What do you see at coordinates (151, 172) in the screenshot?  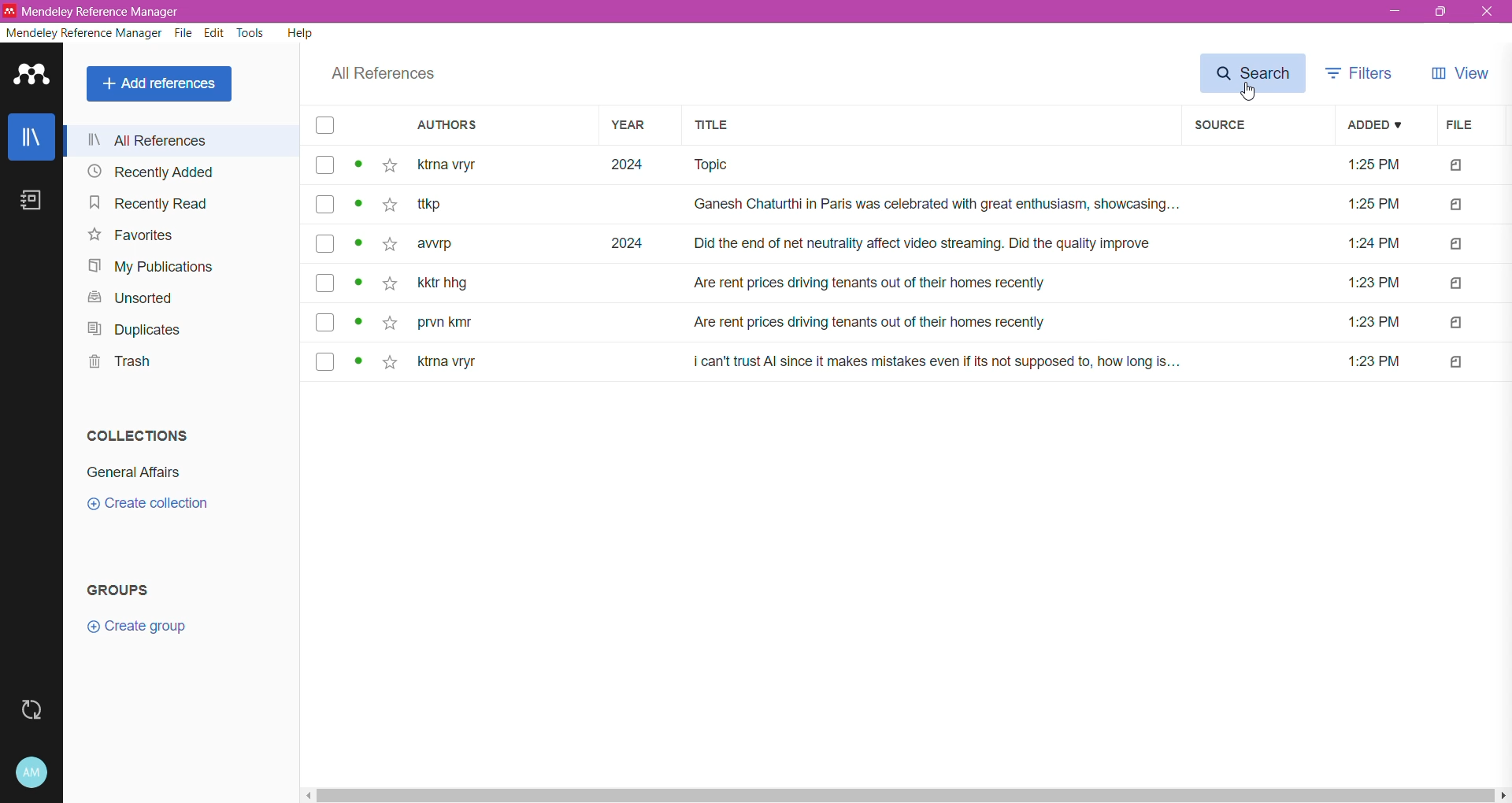 I see `Recently Added` at bounding box center [151, 172].